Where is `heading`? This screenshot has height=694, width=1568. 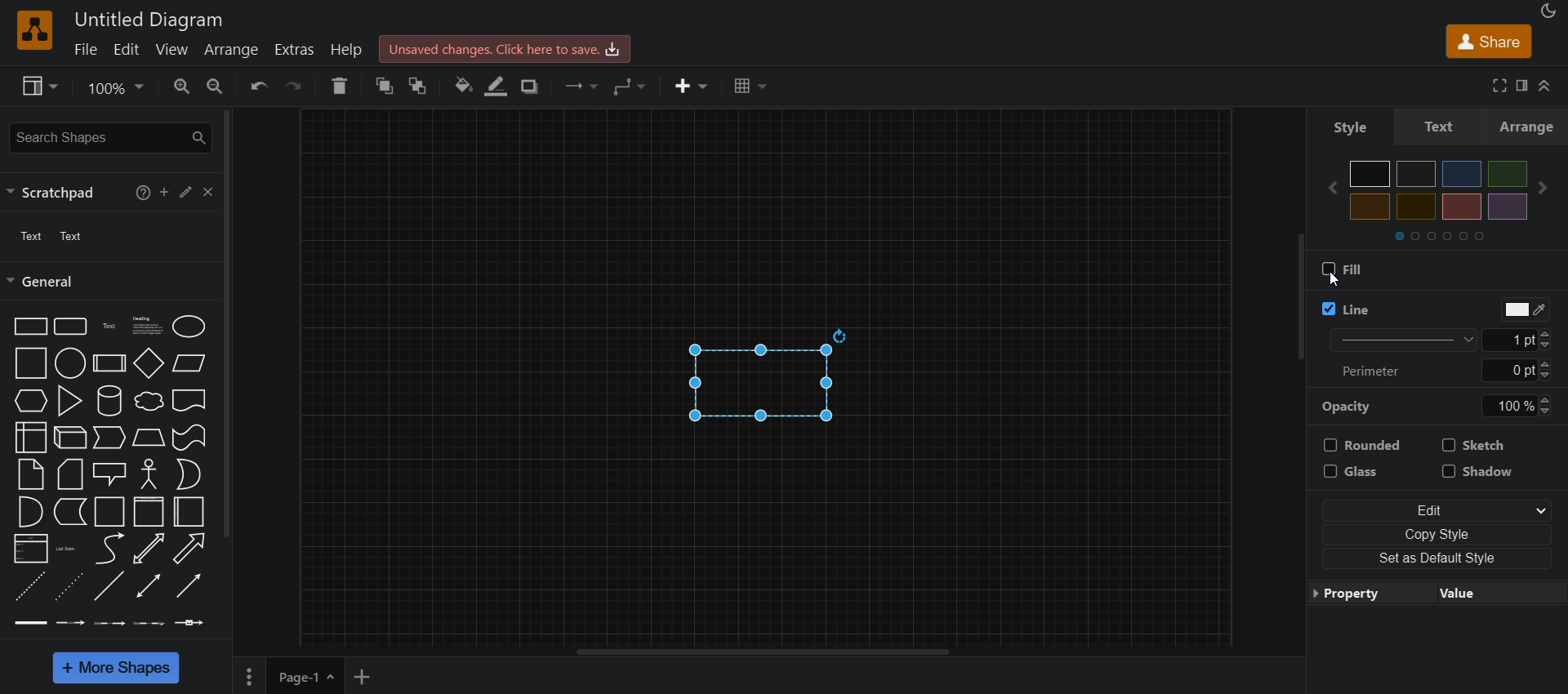 heading is located at coordinates (145, 325).